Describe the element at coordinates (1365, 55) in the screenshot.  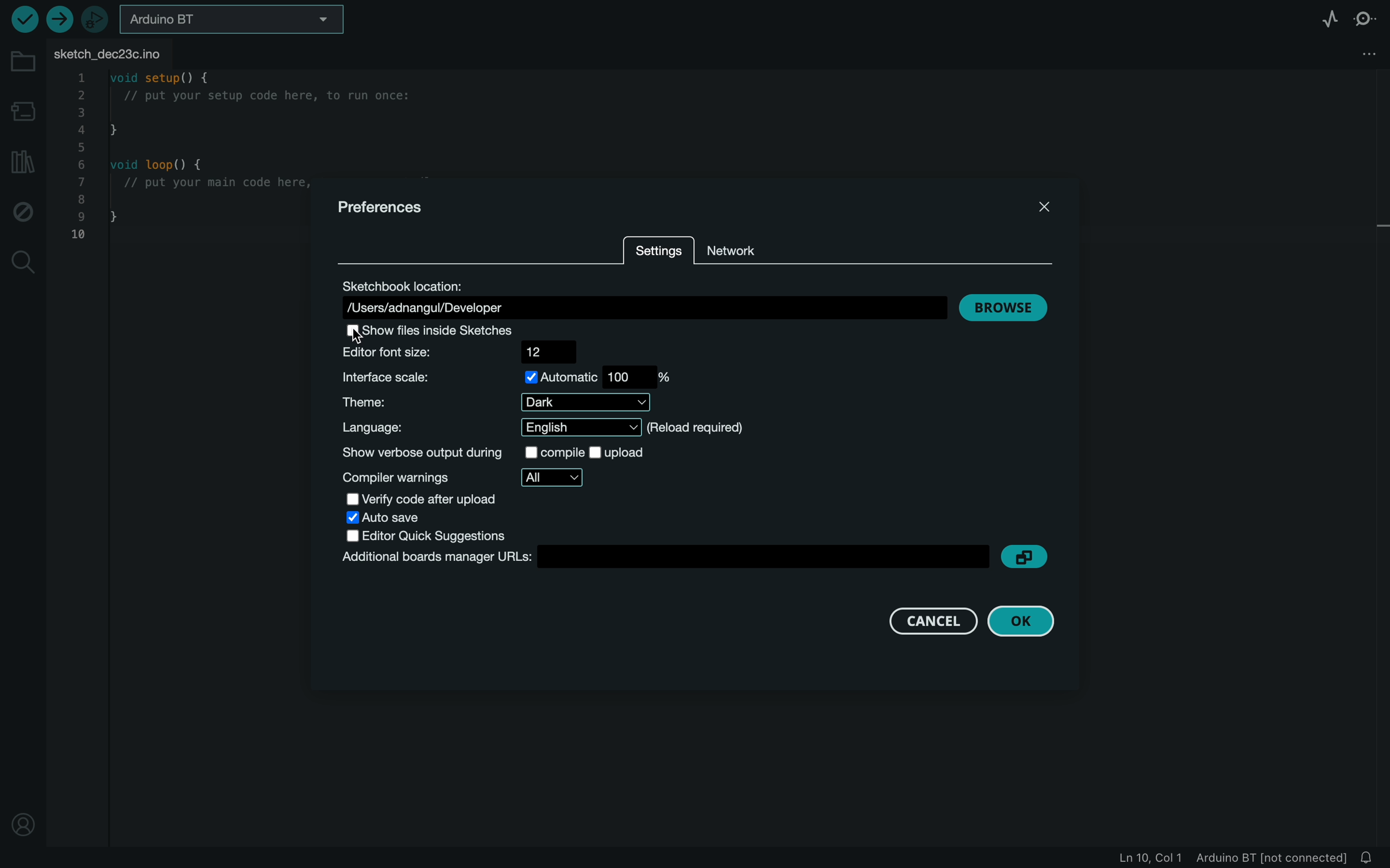
I see `tab manager` at that location.